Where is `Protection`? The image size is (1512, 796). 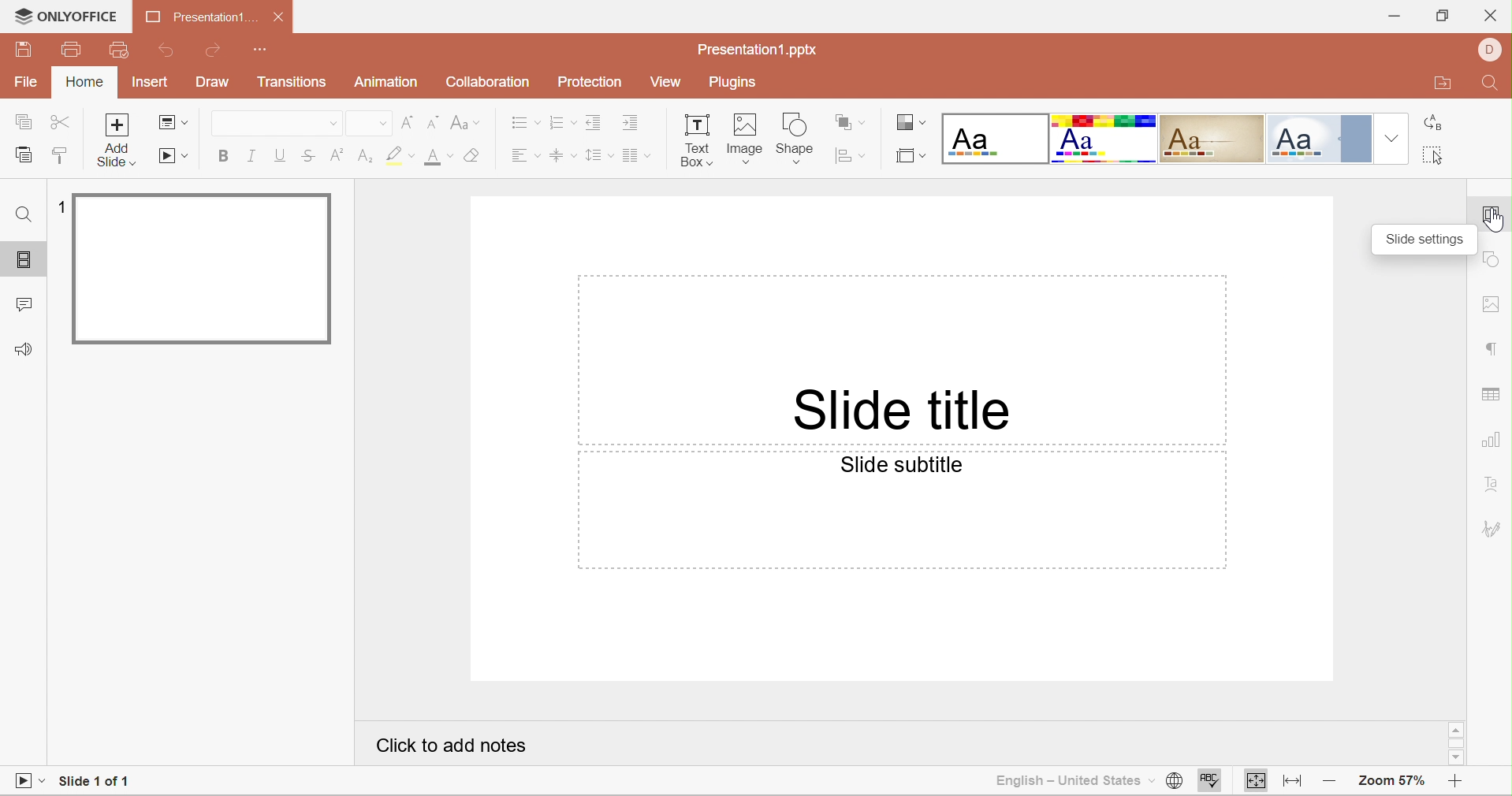
Protection is located at coordinates (592, 84).